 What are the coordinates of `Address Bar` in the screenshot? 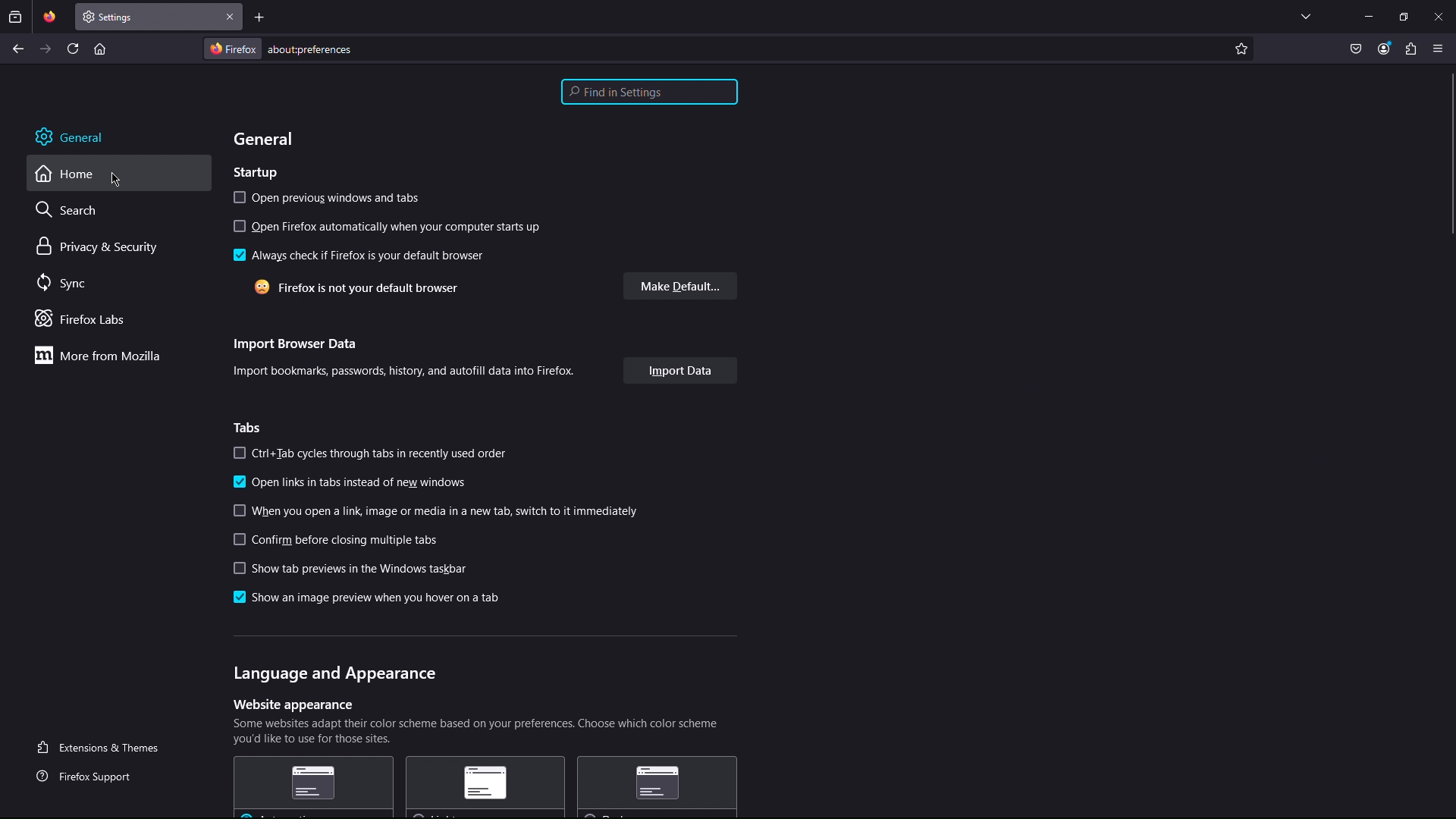 It's located at (716, 48).